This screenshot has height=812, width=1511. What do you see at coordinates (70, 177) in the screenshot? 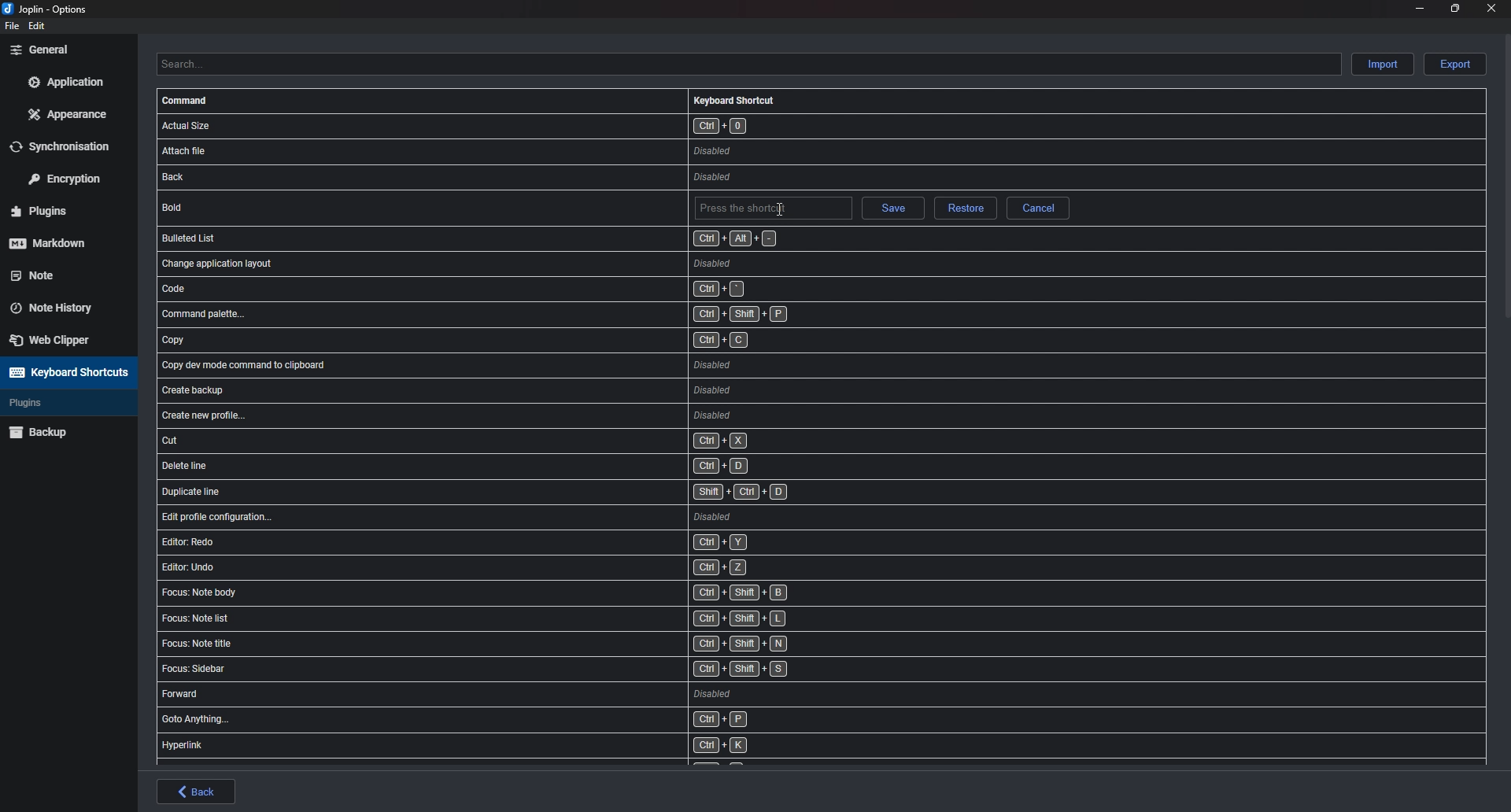
I see `Encryption` at bounding box center [70, 177].